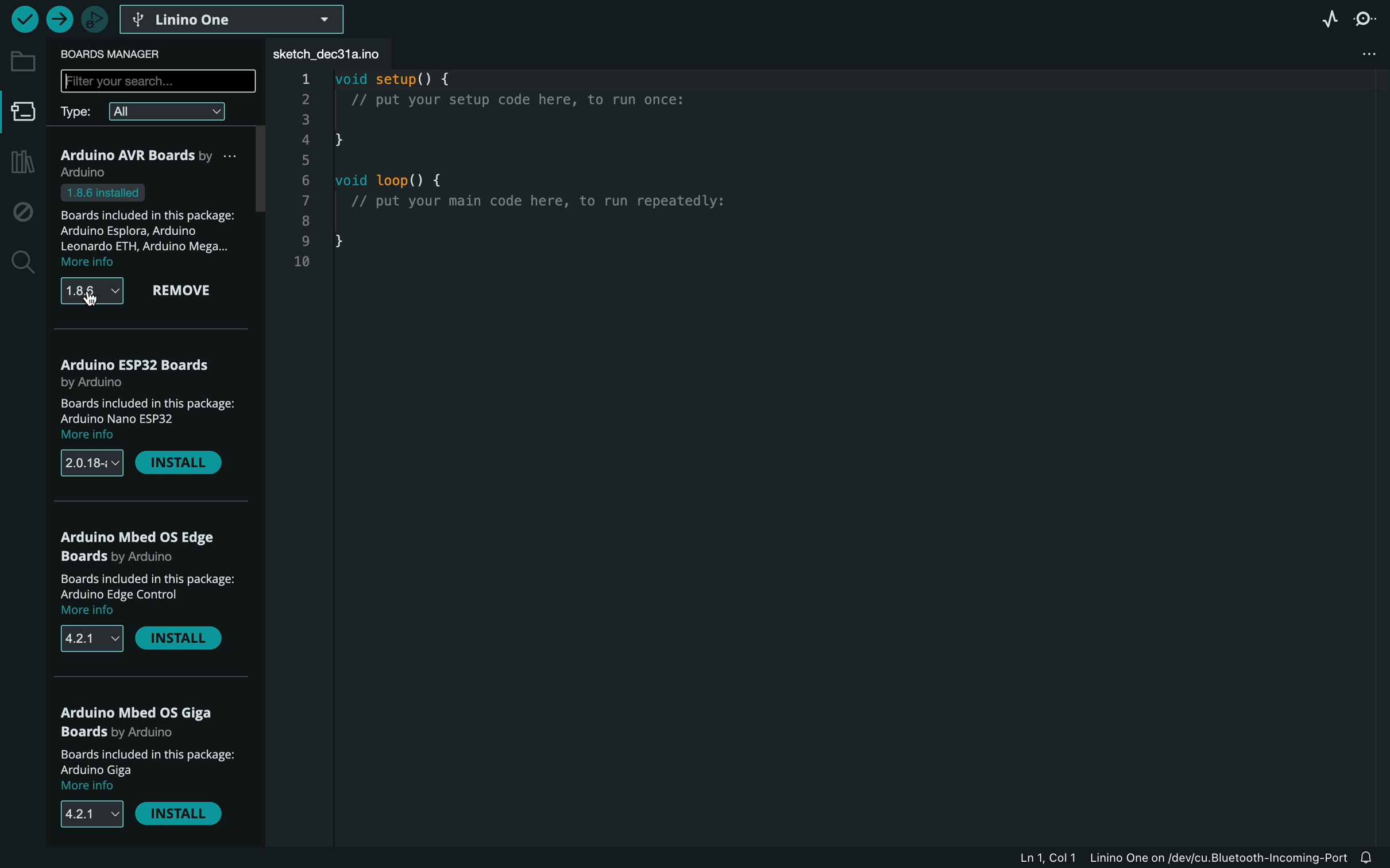 The image size is (1390, 868). I want to click on serial plotter, so click(1323, 18).